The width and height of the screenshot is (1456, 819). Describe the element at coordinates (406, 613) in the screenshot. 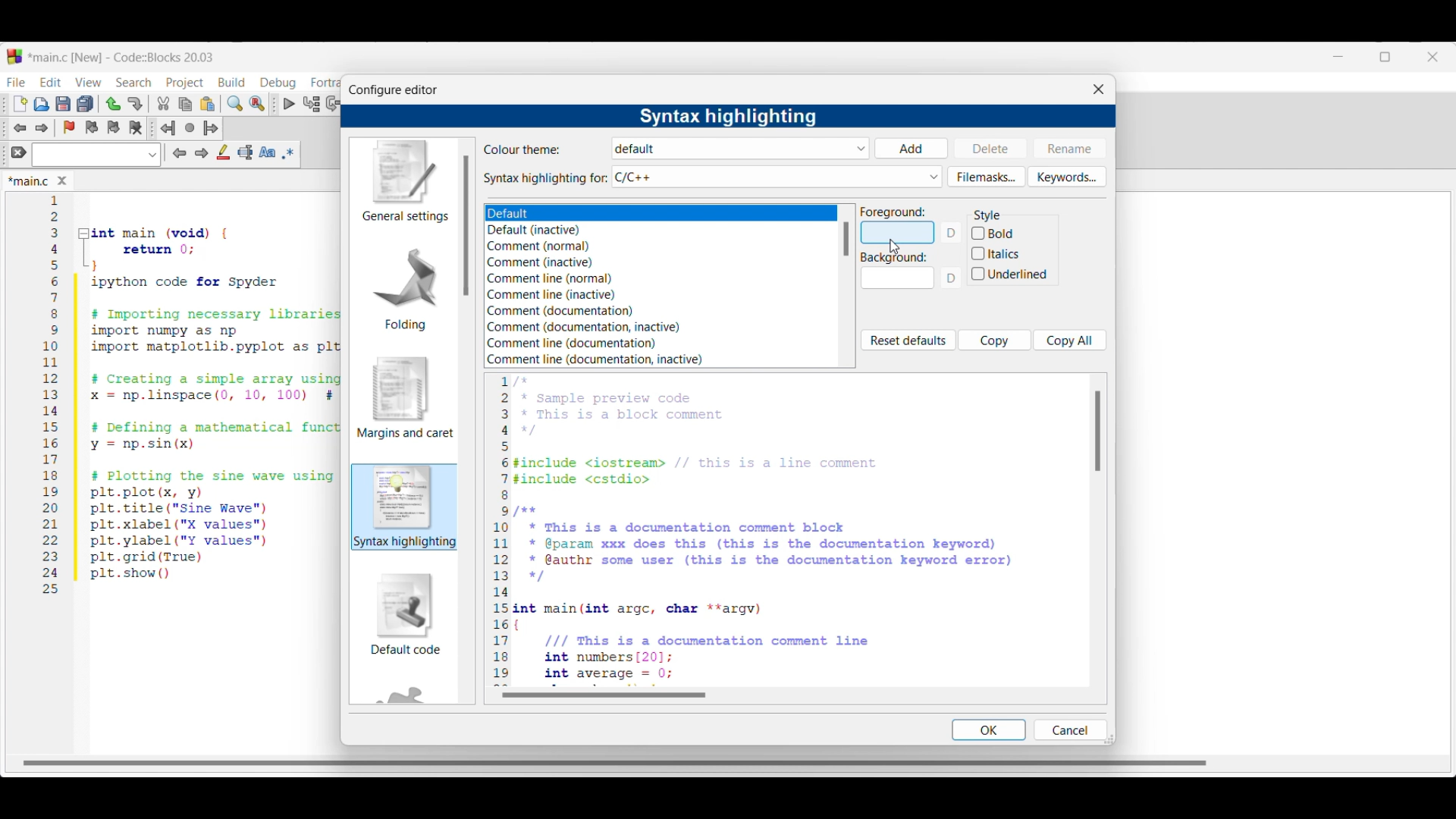

I see `Default code` at that location.